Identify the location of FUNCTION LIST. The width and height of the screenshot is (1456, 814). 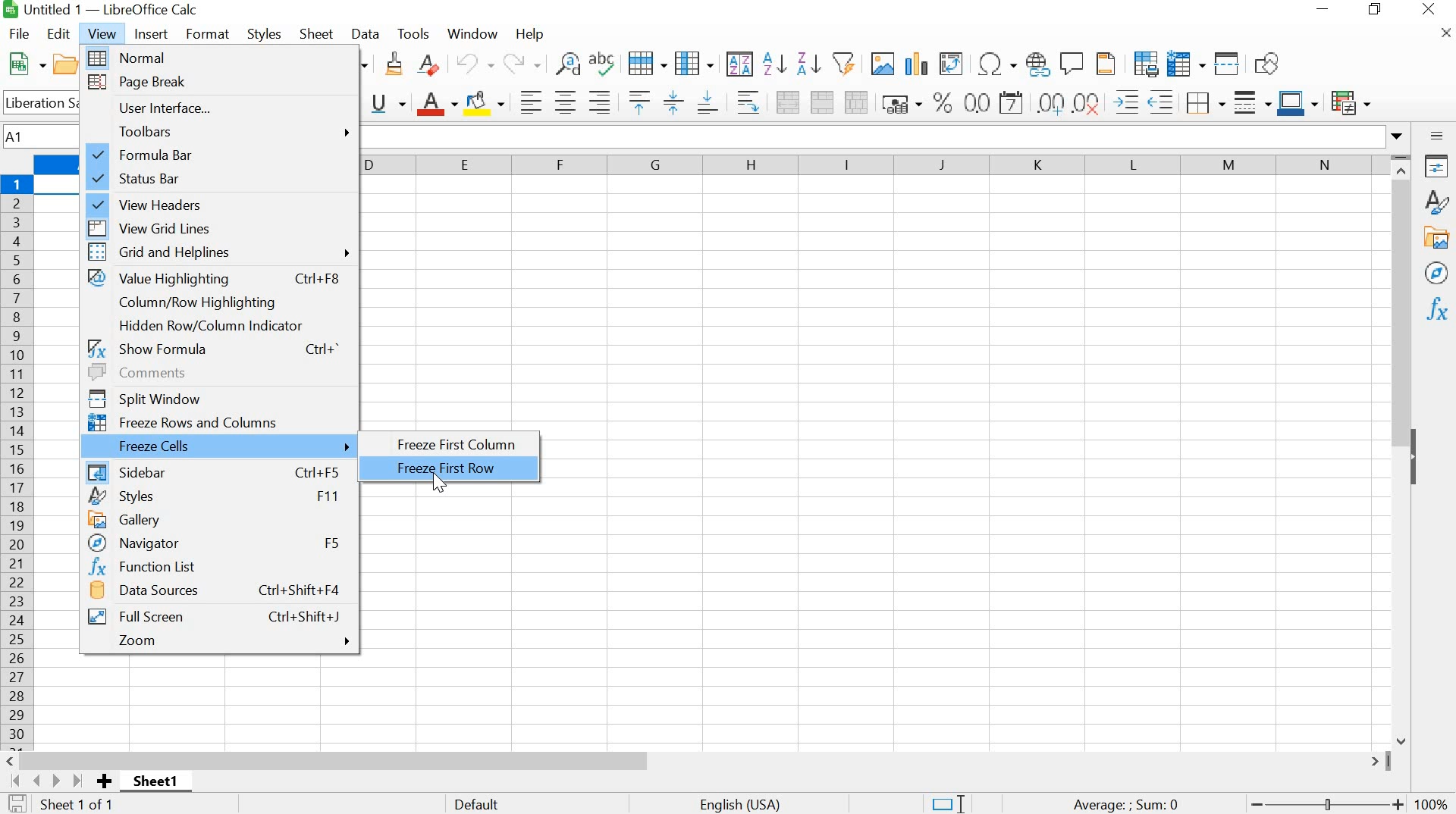
(213, 567).